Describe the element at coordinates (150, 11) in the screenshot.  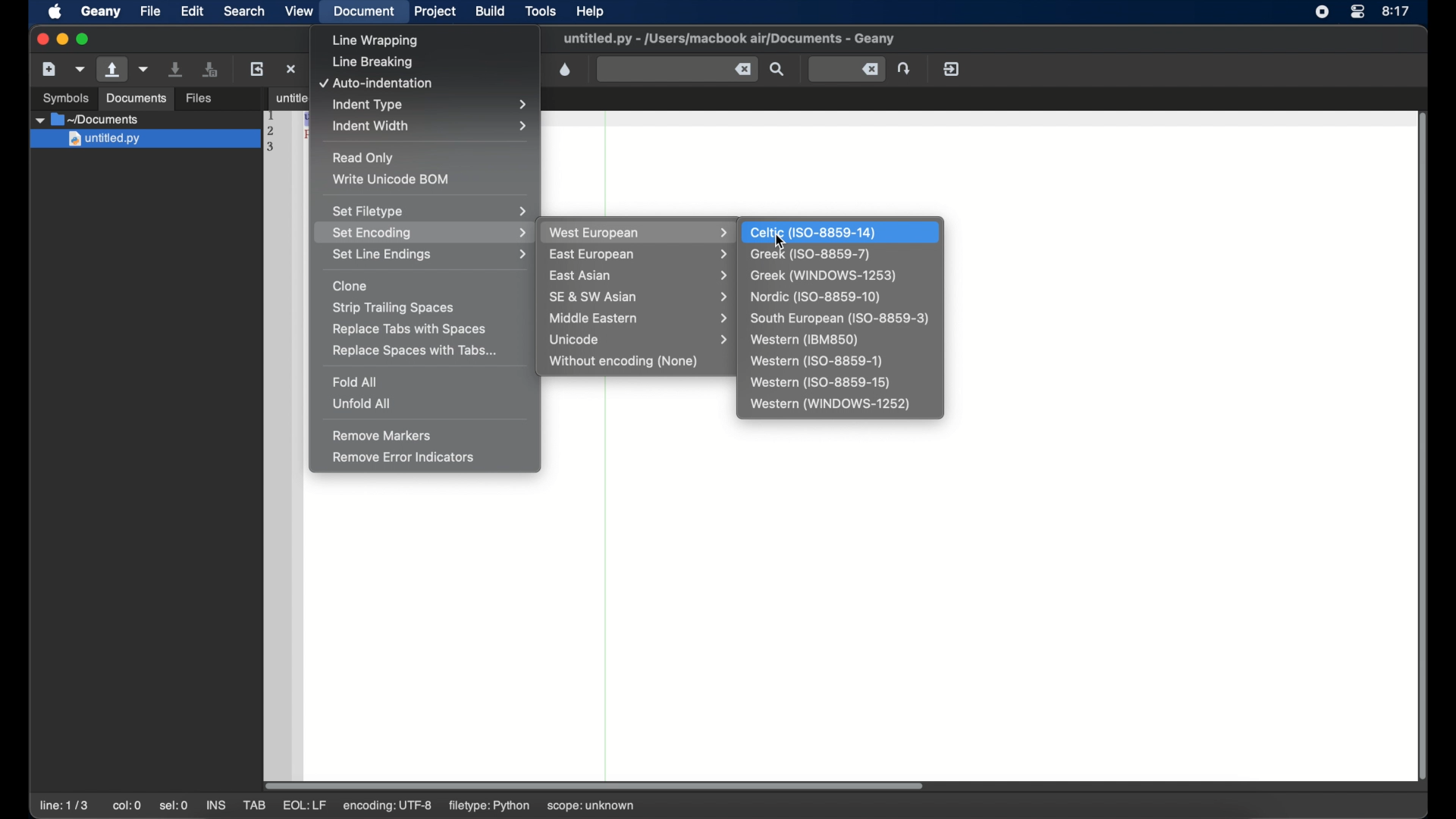
I see `file` at that location.